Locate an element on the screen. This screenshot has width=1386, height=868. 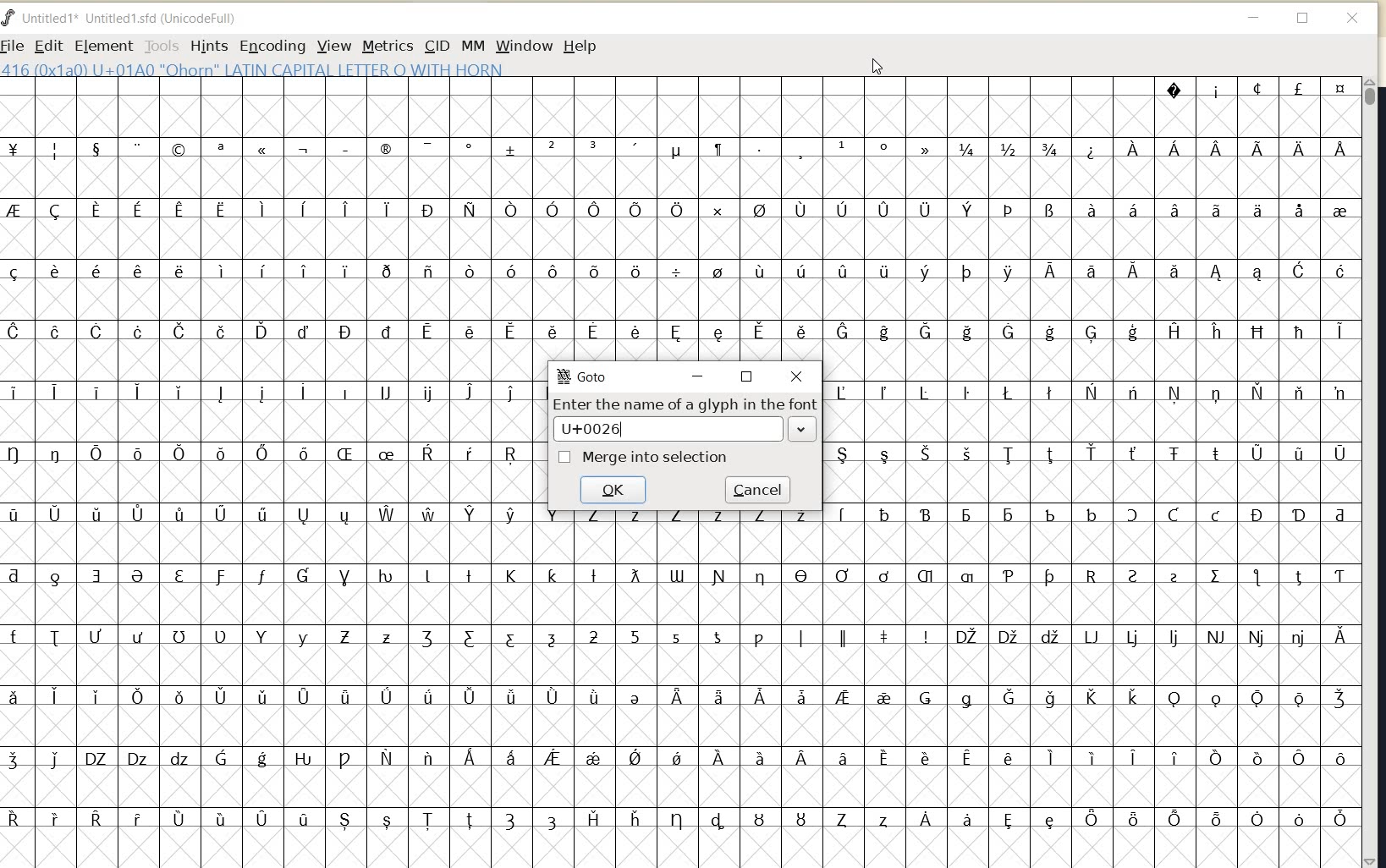
ELEMENT is located at coordinates (101, 46).